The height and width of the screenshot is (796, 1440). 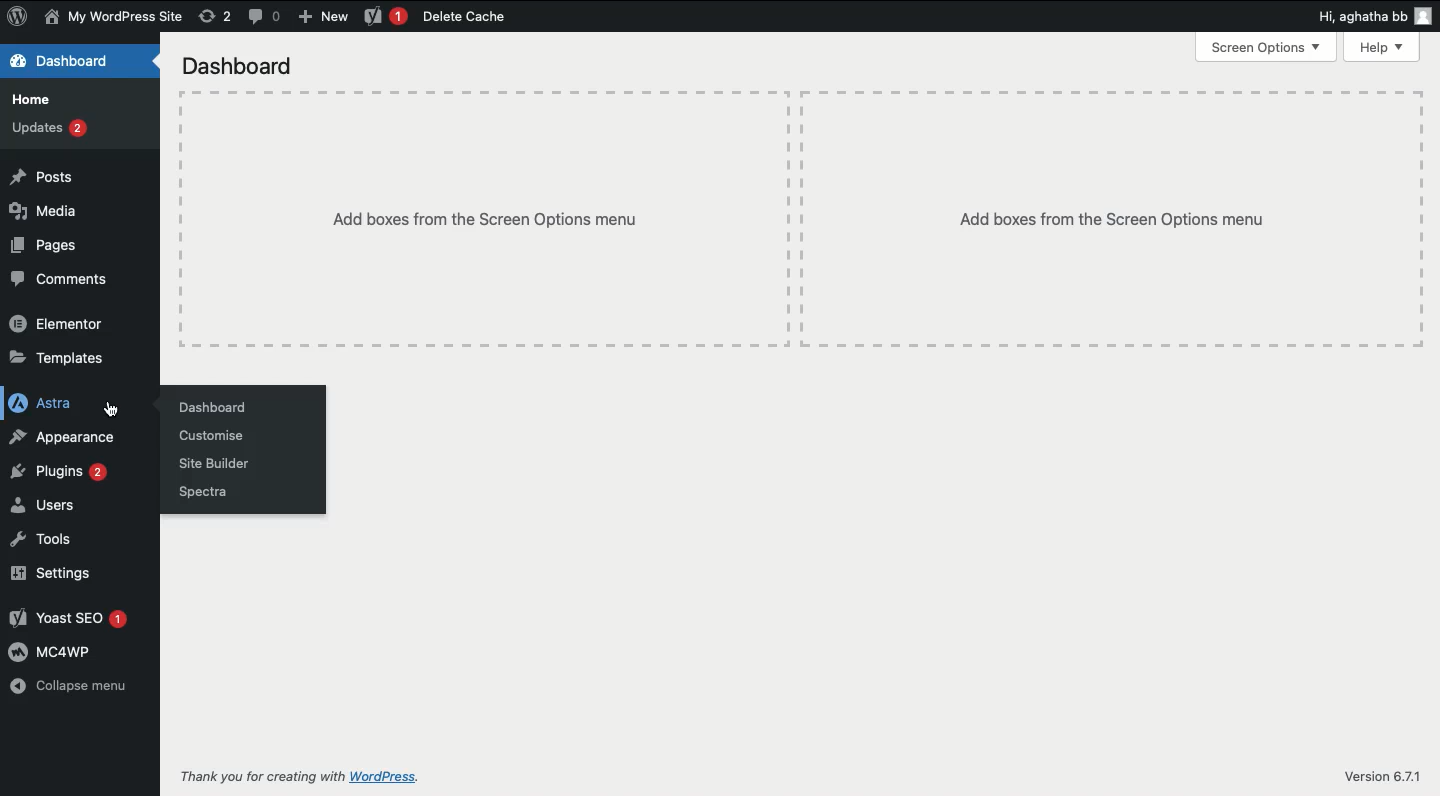 I want to click on Yoast, so click(x=384, y=17).